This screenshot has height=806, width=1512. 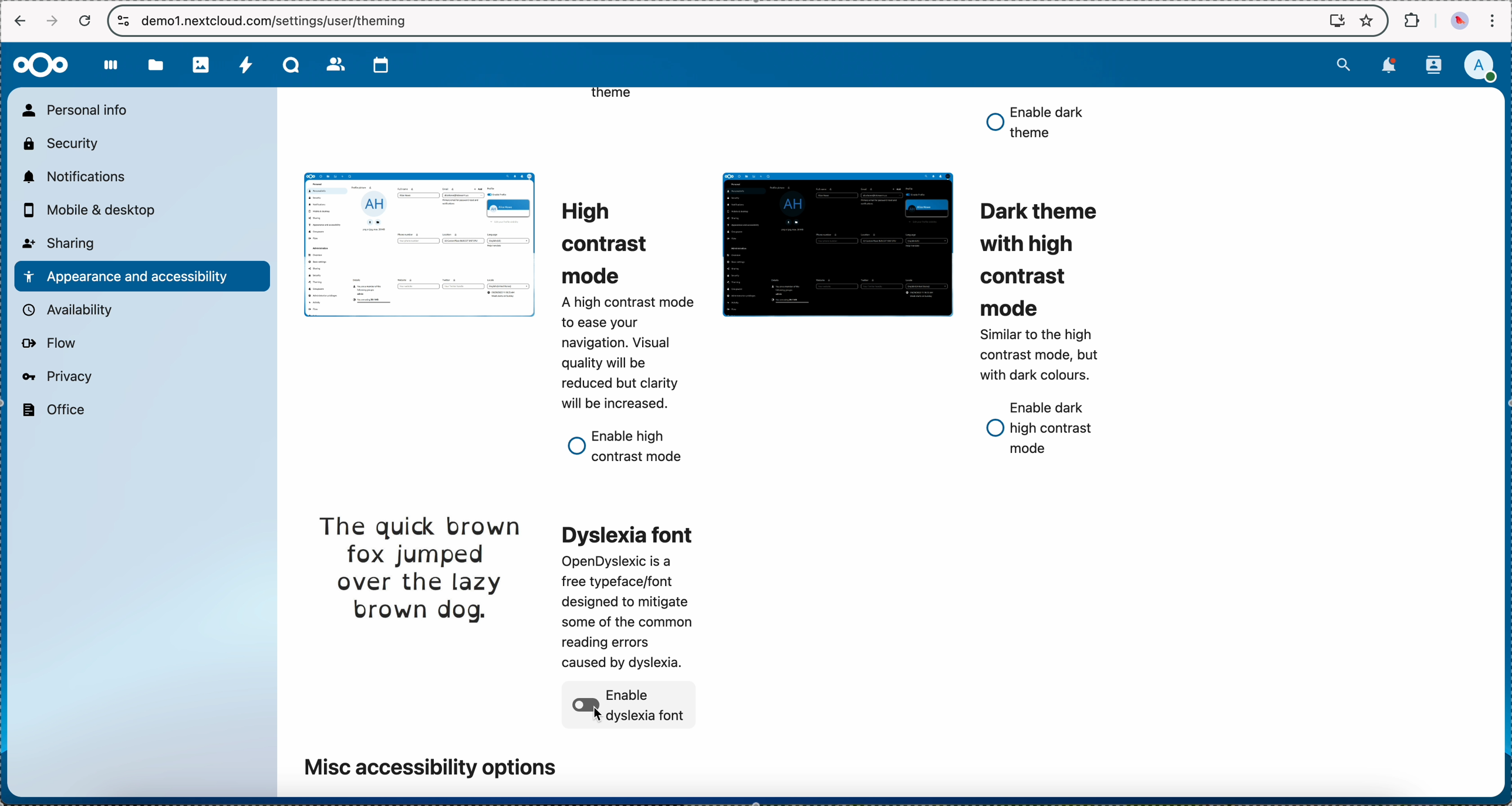 I want to click on misc accessibility options, so click(x=429, y=765).